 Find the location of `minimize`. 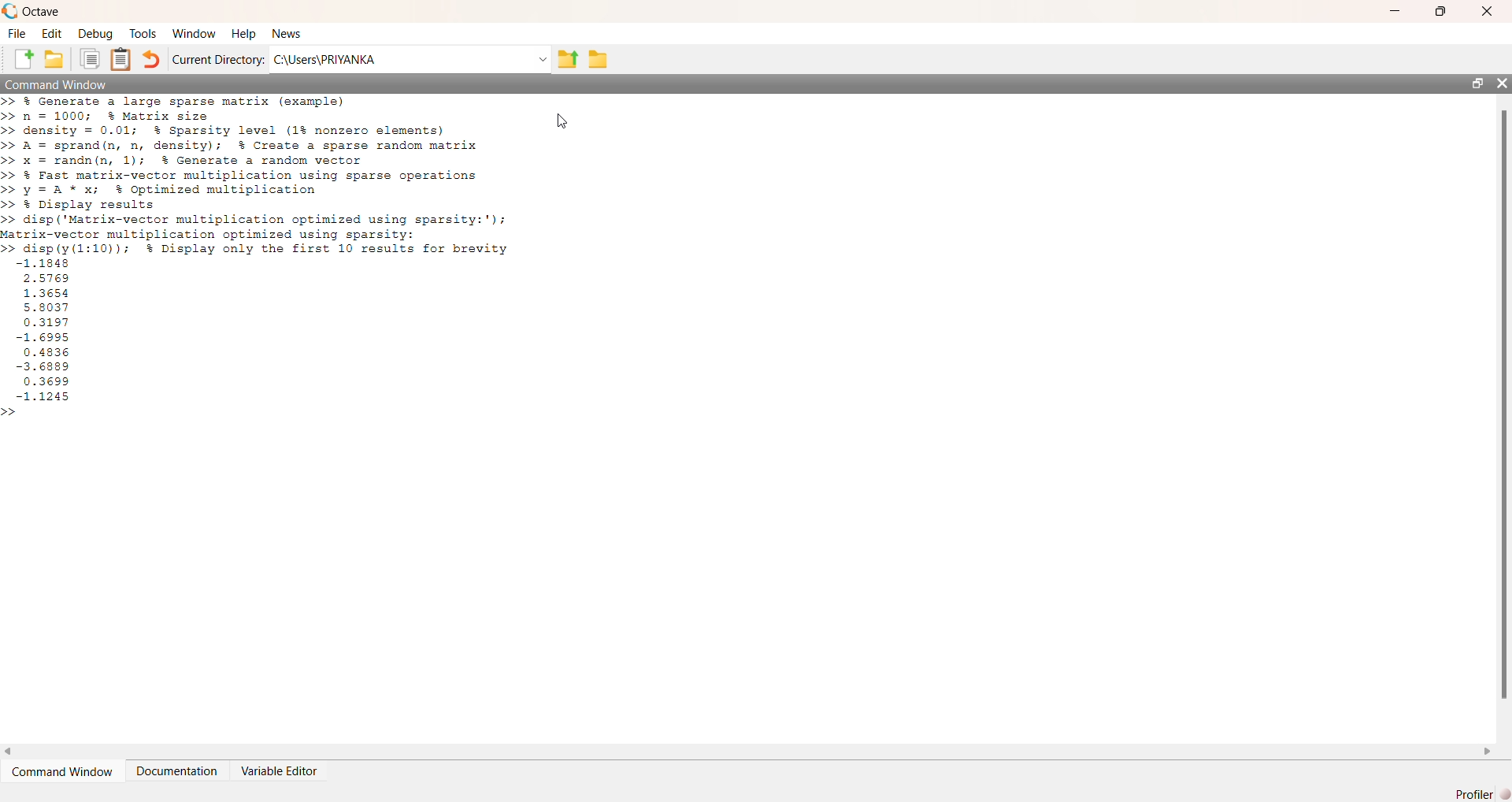

minimize is located at coordinates (1395, 12).